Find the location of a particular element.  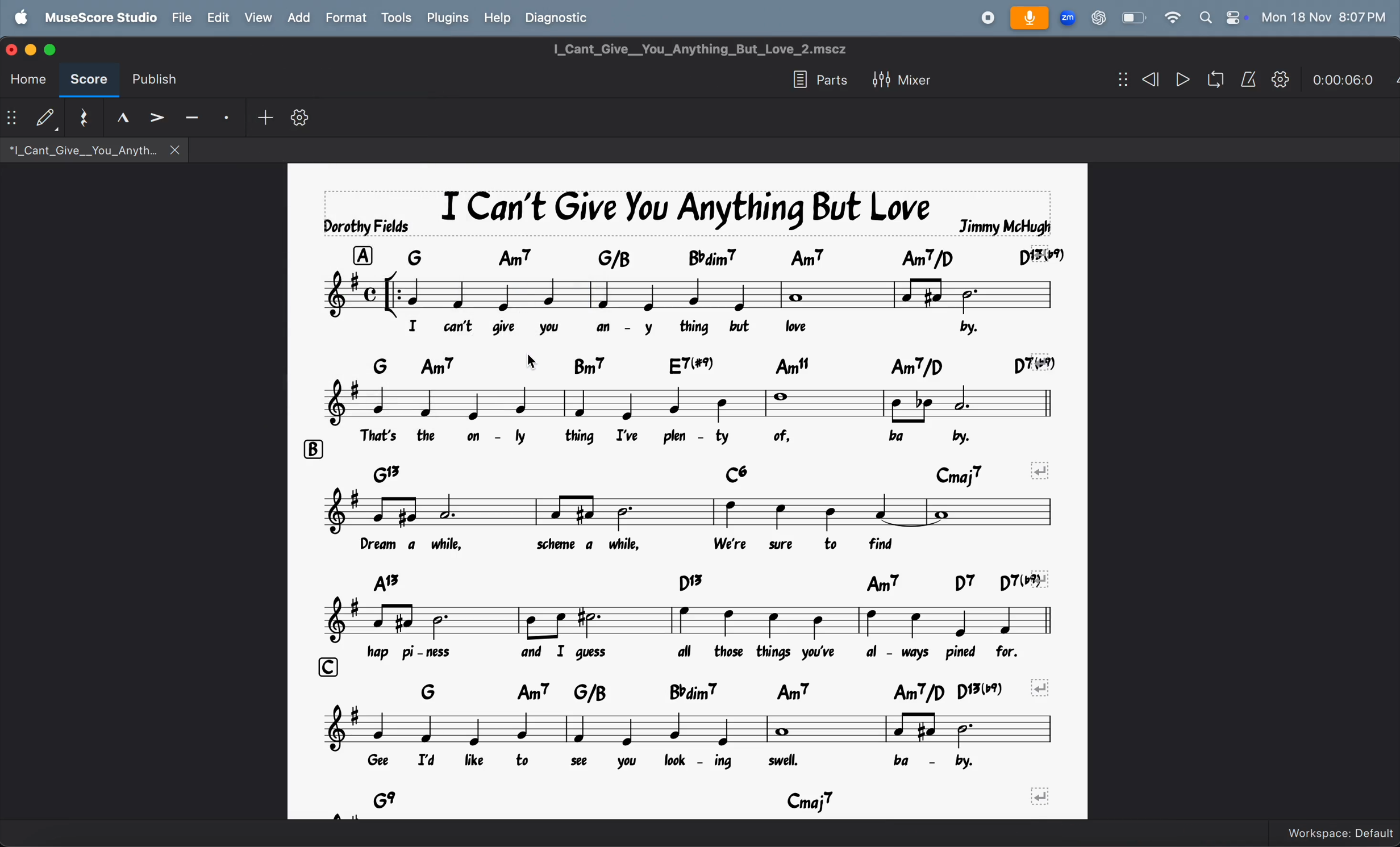

reset is located at coordinates (79, 118).